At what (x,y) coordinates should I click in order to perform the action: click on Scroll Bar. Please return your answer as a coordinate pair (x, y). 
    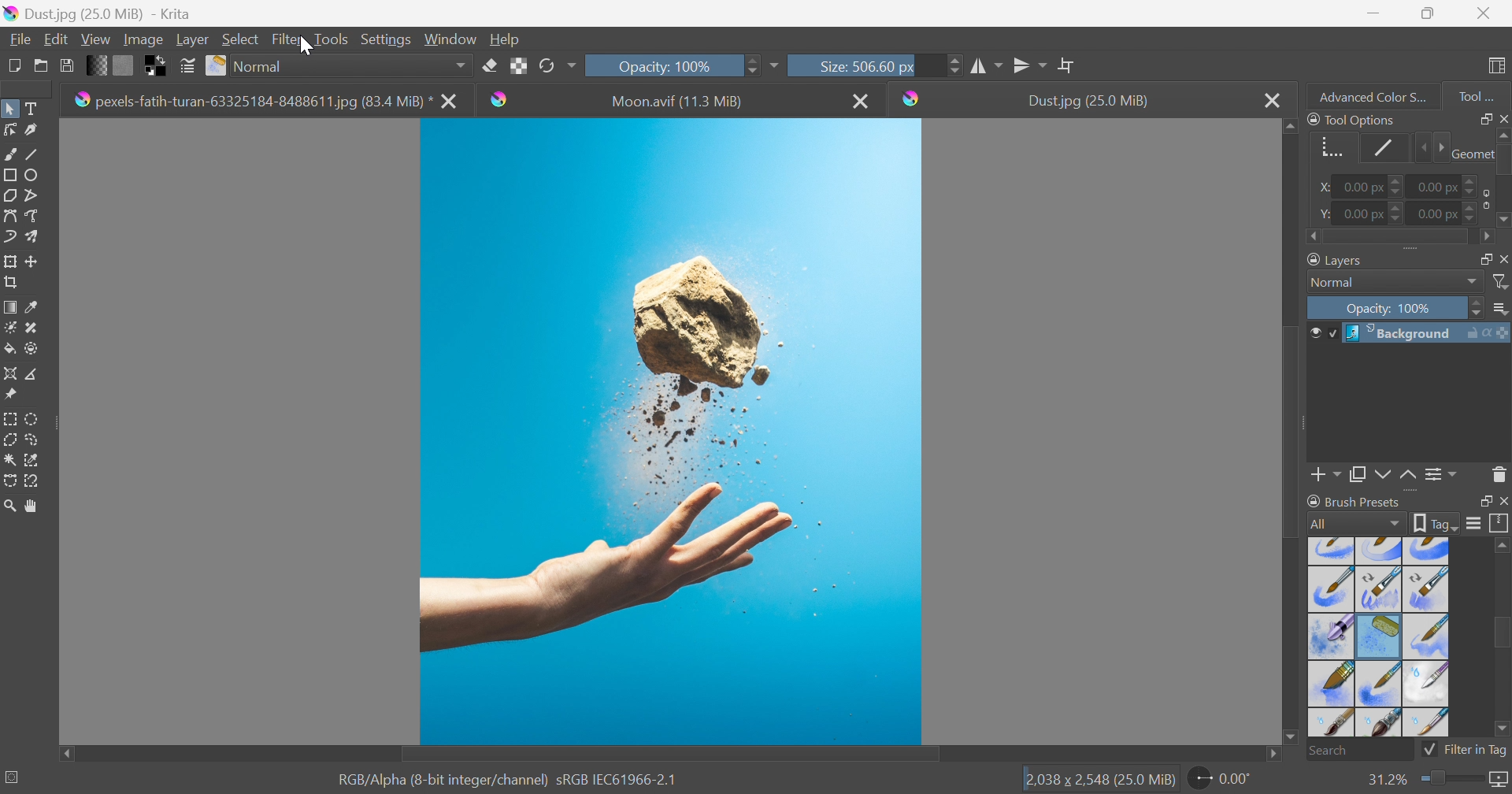
    Looking at the image, I should click on (670, 755).